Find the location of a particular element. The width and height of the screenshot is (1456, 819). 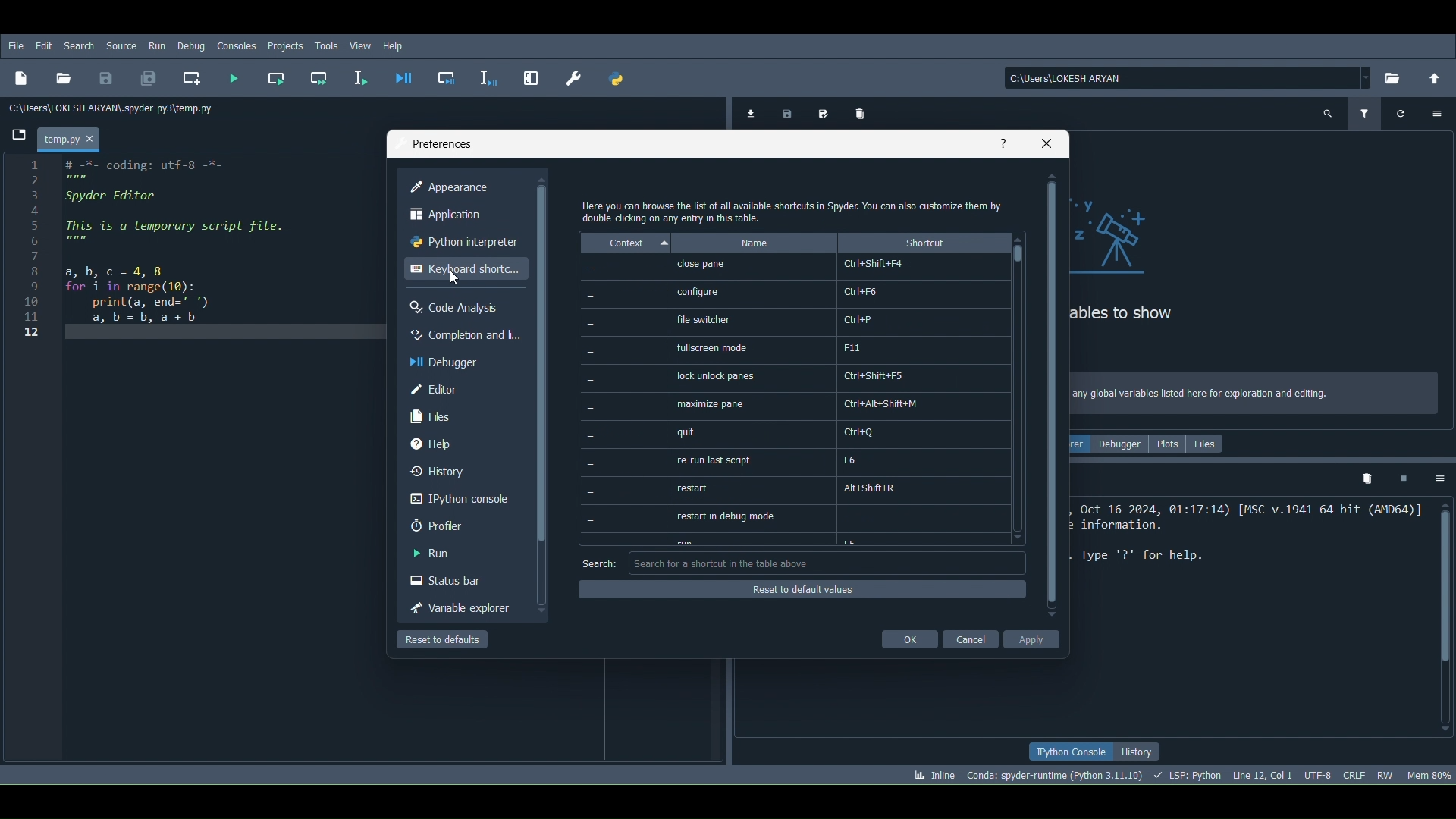

Encoding is located at coordinates (1316, 774).